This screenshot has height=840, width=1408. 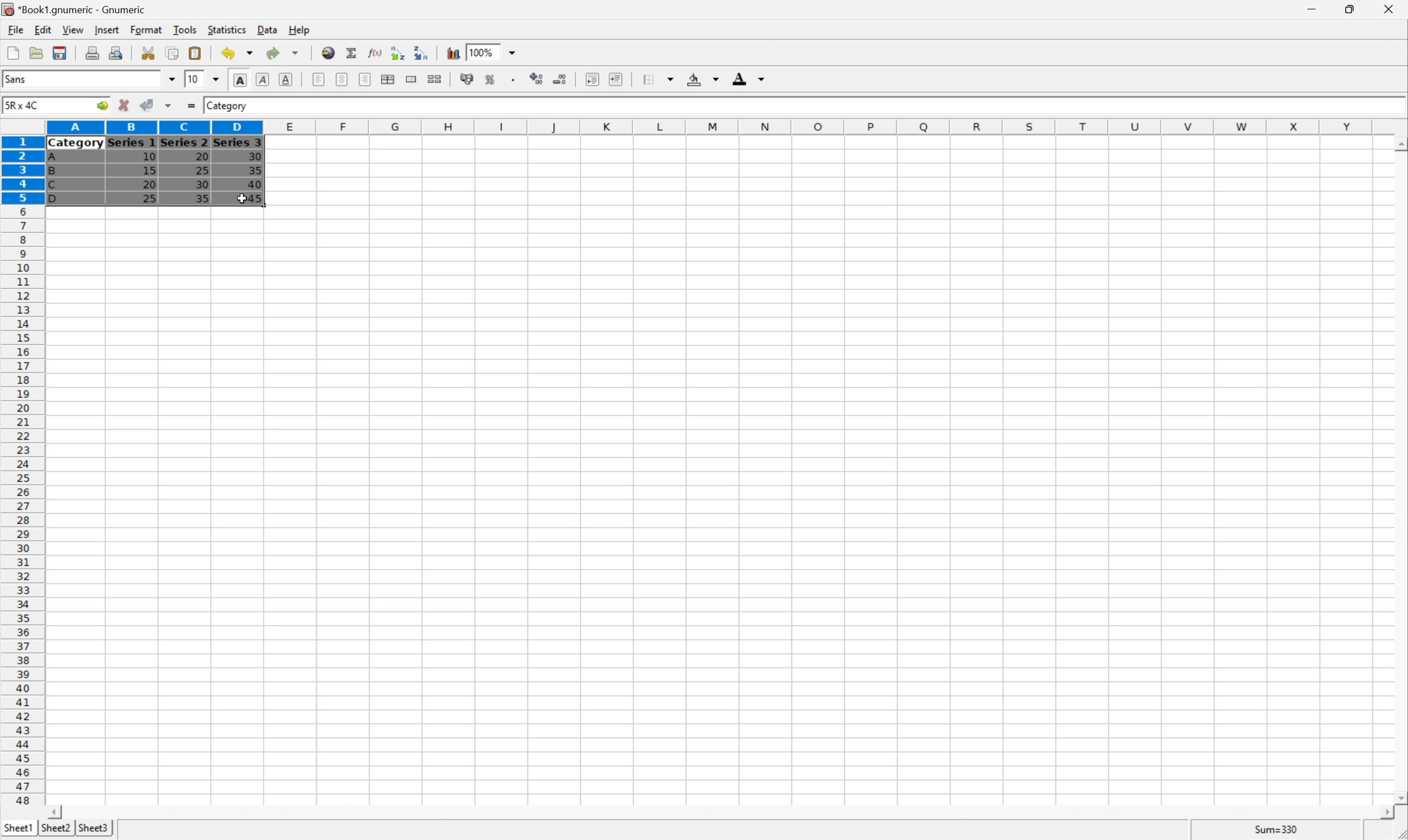 I want to click on A, so click(x=54, y=158).